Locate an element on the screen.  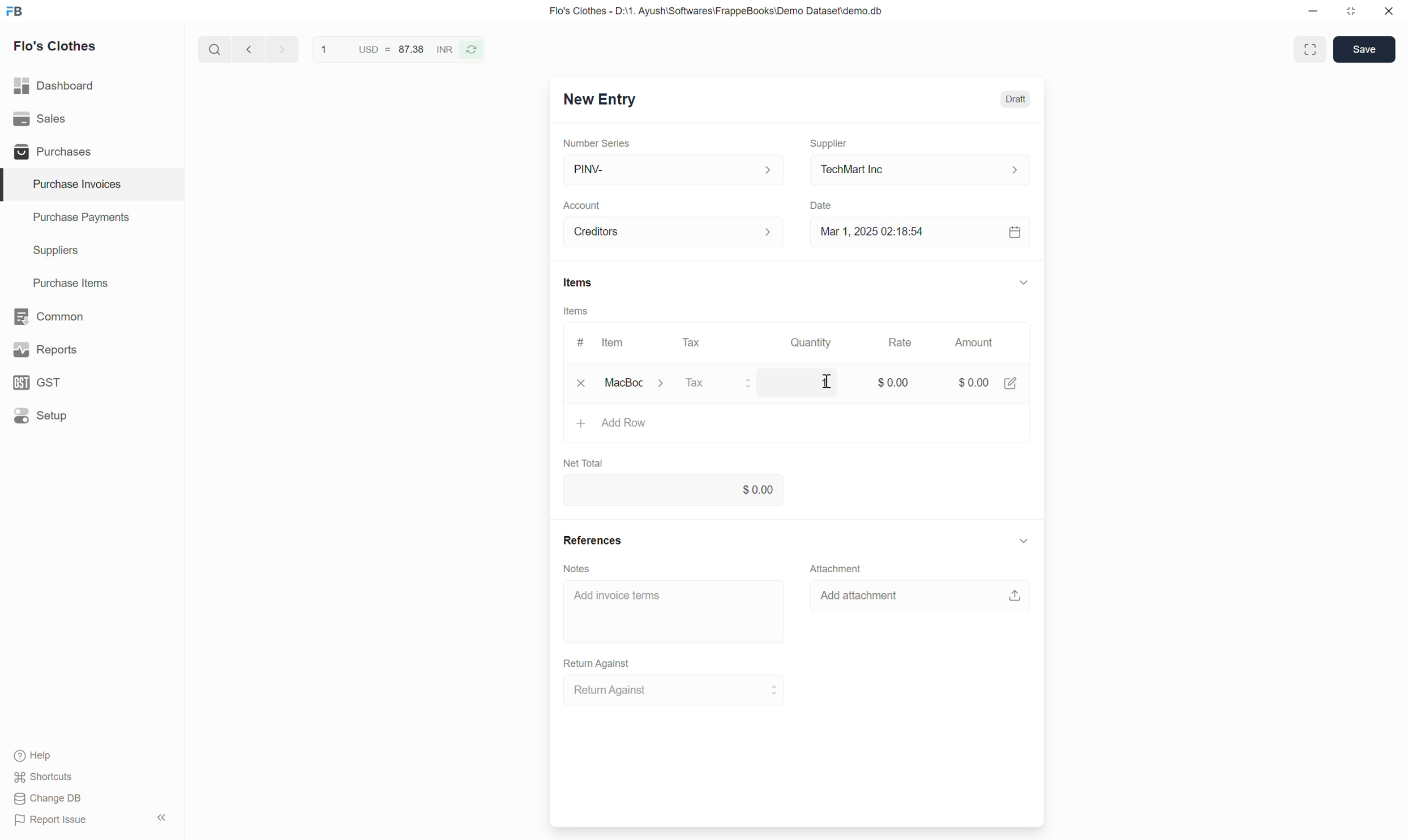
cursor is located at coordinates (830, 382).